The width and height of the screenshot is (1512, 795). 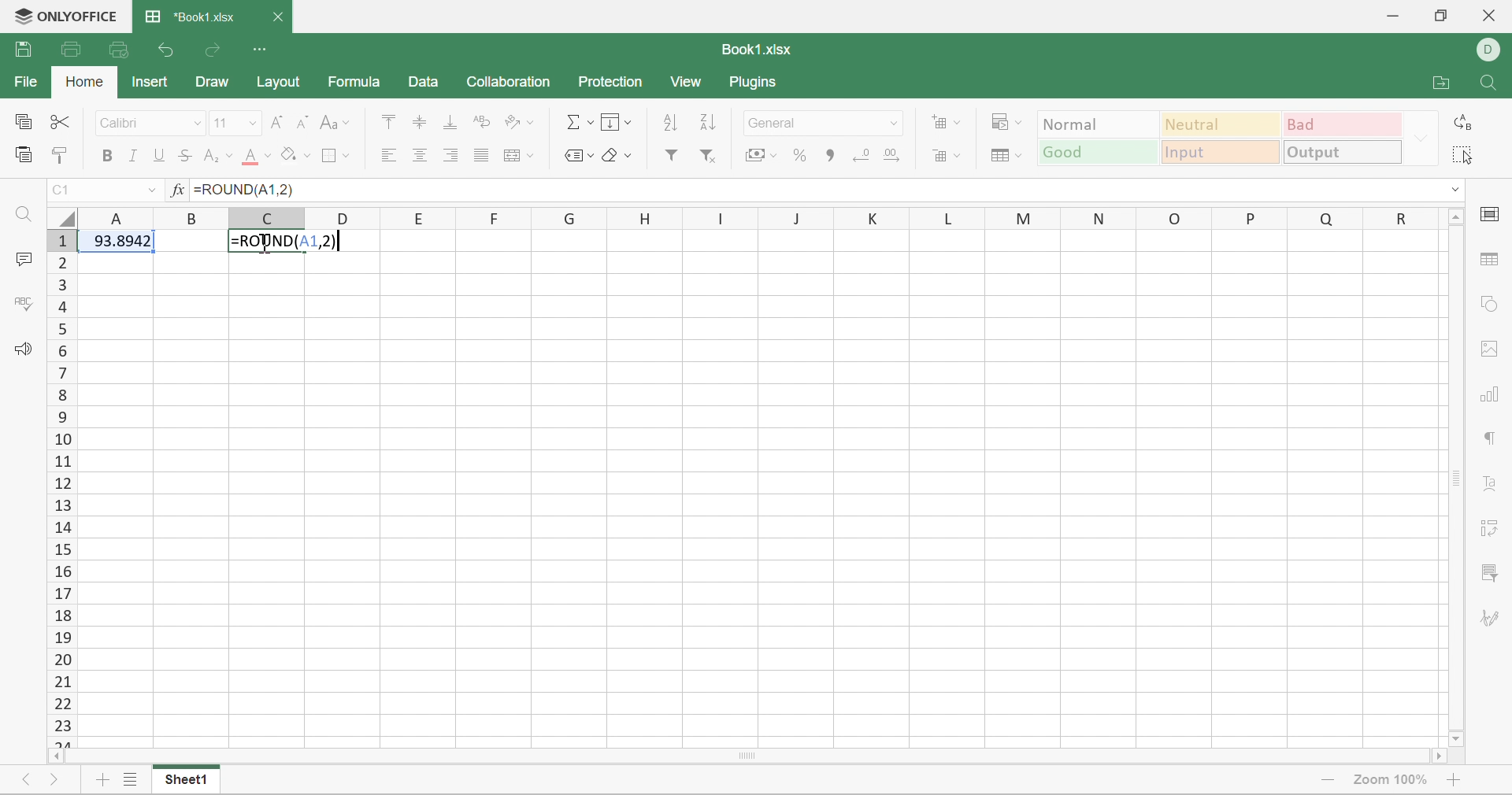 I want to click on Align Center, so click(x=420, y=154).